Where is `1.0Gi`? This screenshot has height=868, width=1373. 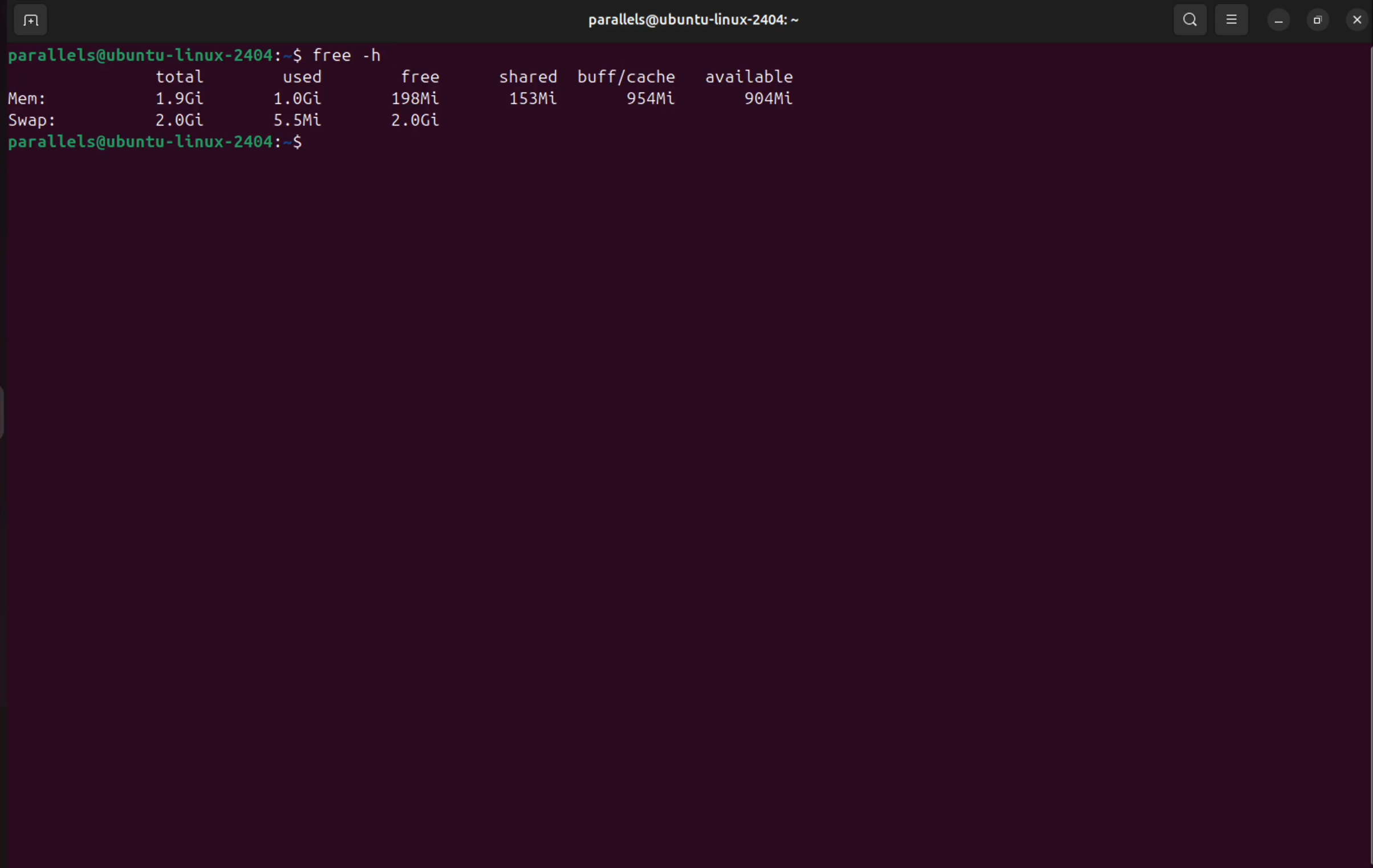 1.0Gi is located at coordinates (302, 99).